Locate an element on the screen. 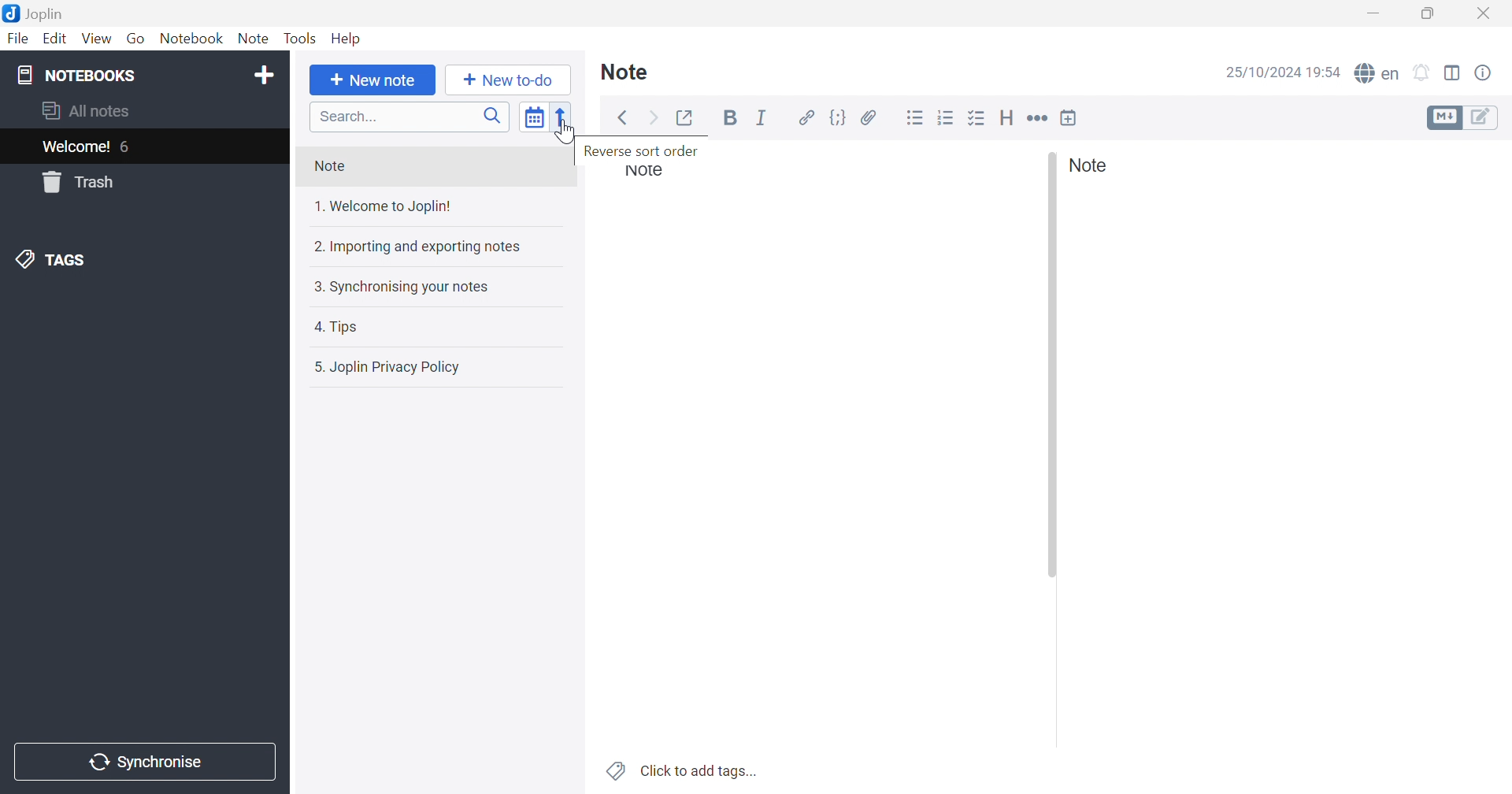 The height and width of the screenshot is (794, 1512). Toggle sort order field: updated date -> created date is located at coordinates (535, 121).